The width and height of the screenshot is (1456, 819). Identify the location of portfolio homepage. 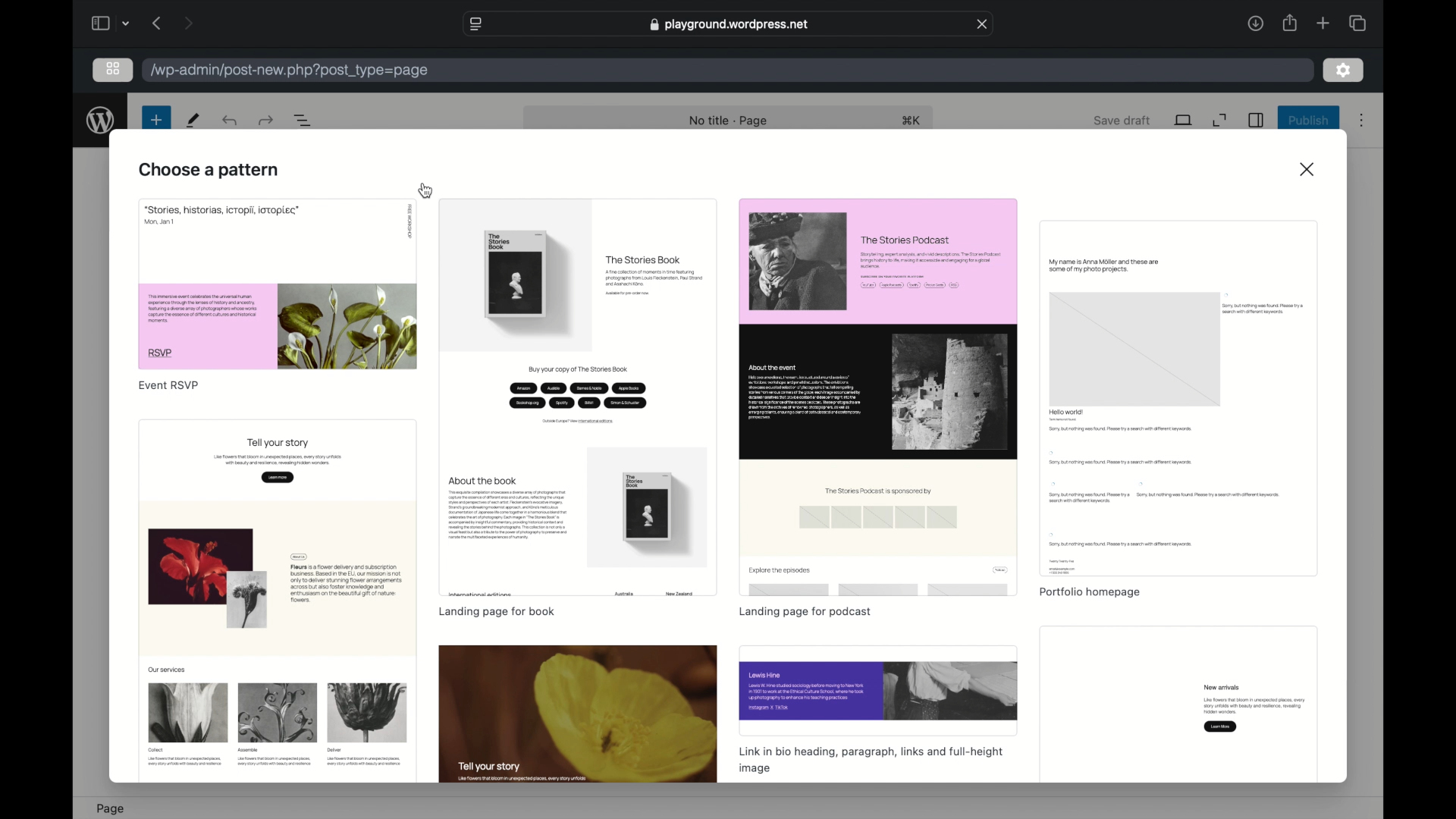
(1089, 593).